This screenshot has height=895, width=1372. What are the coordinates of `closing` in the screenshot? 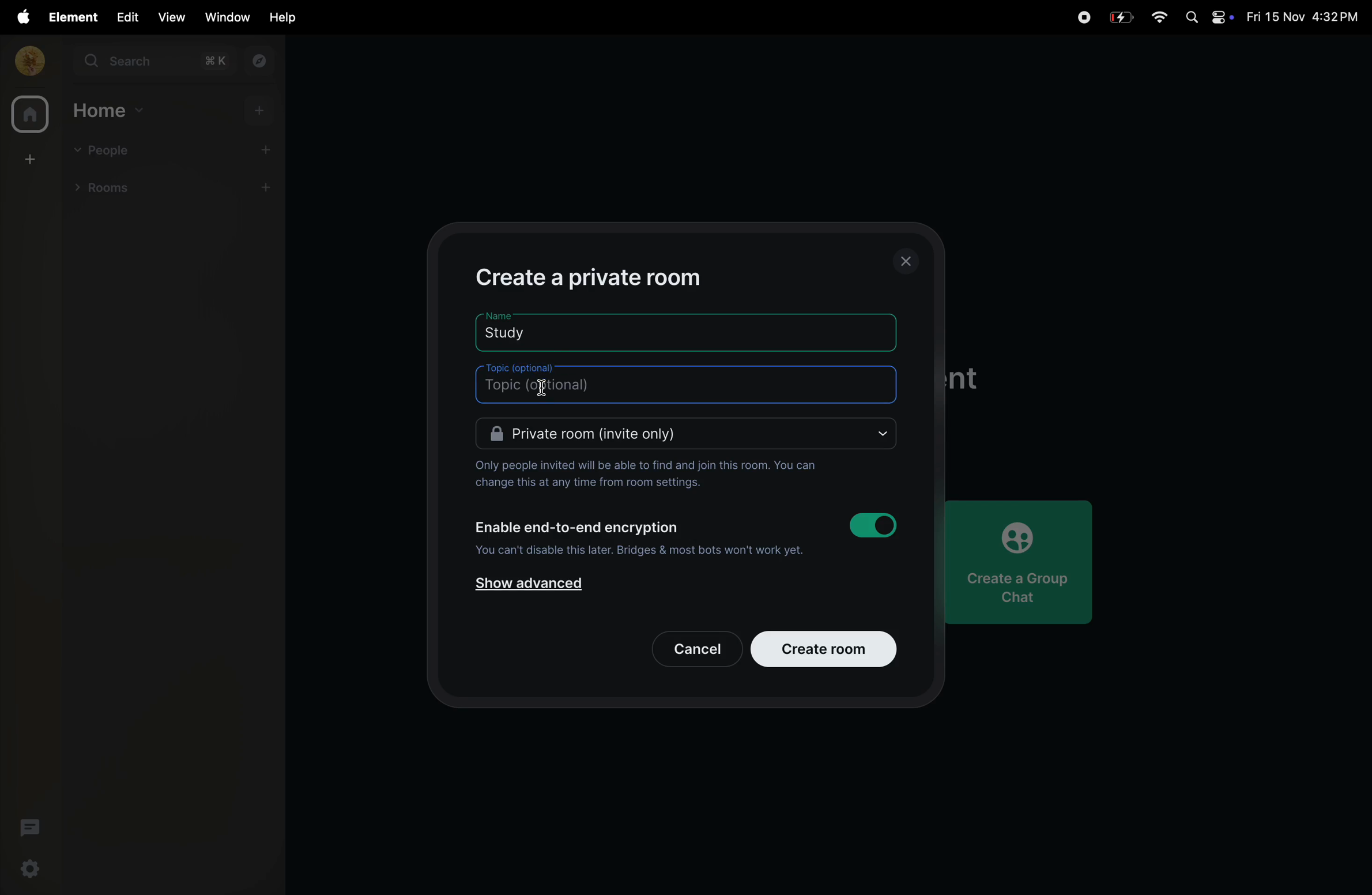 It's located at (909, 260).